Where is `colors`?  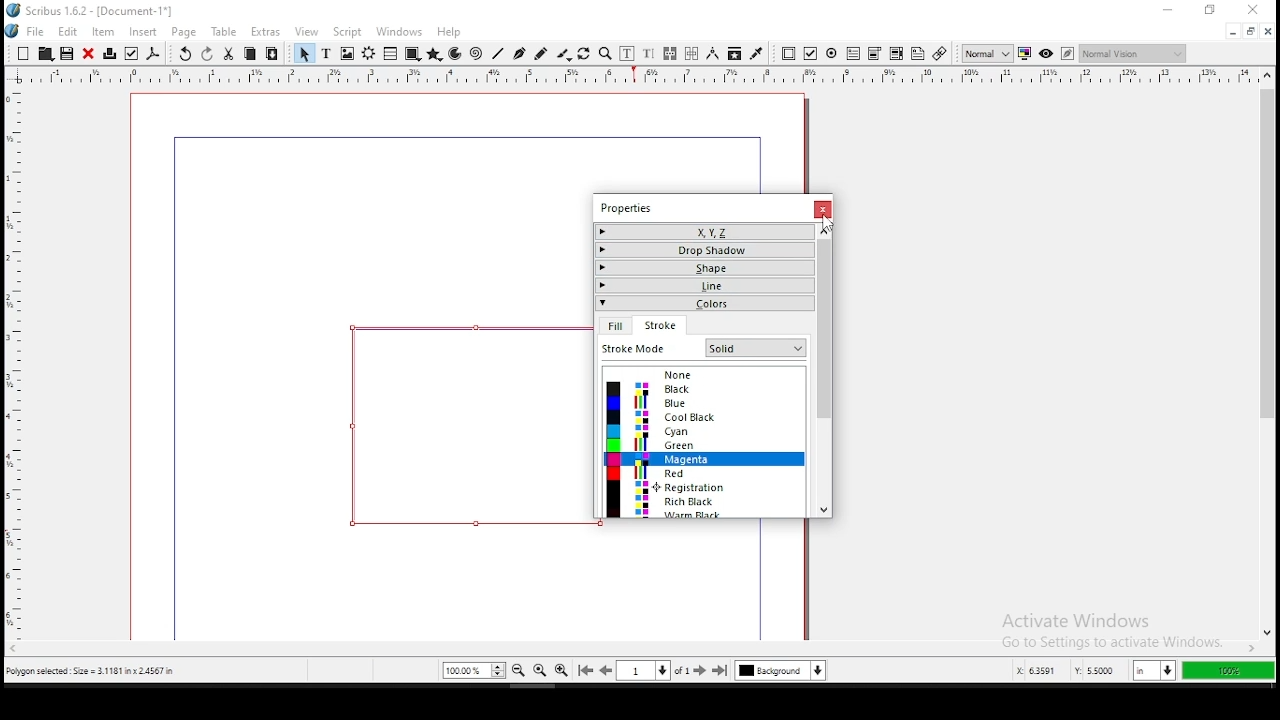 colors is located at coordinates (704, 303).